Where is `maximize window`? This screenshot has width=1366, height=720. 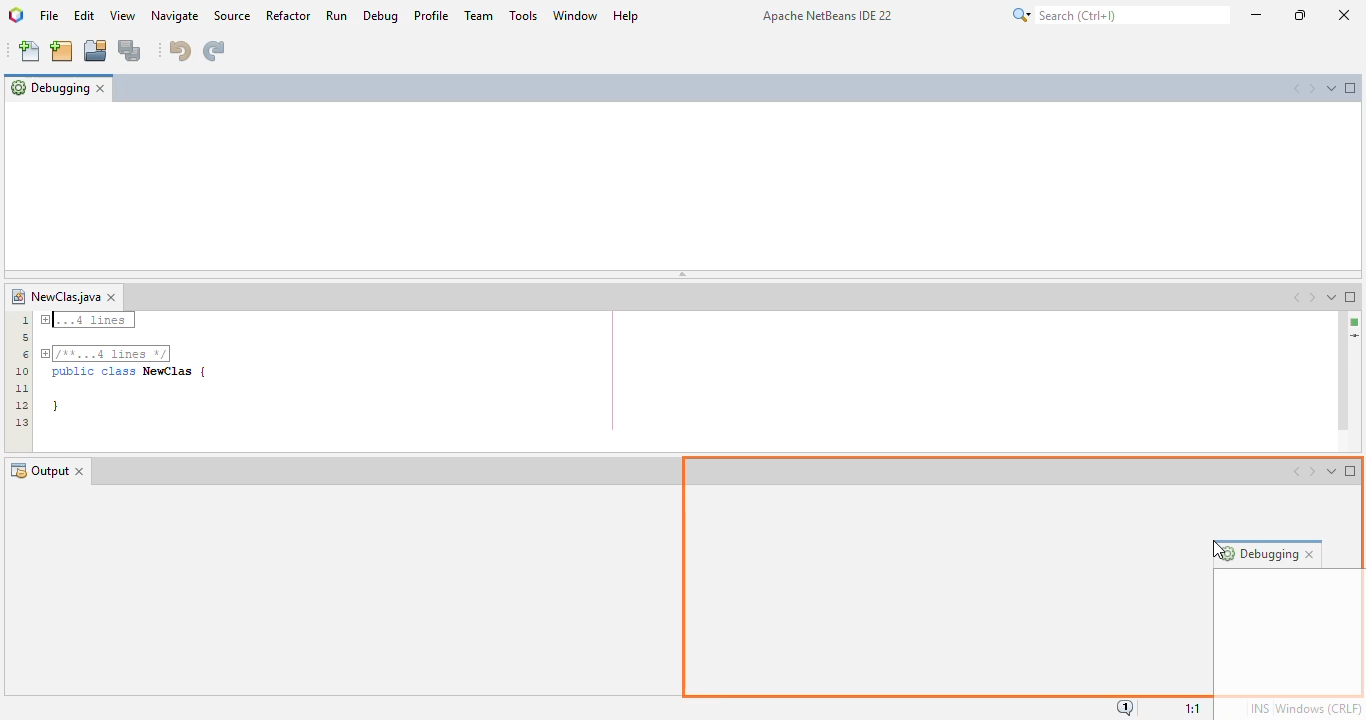 maximize window is located at coordinates (1351, 296).